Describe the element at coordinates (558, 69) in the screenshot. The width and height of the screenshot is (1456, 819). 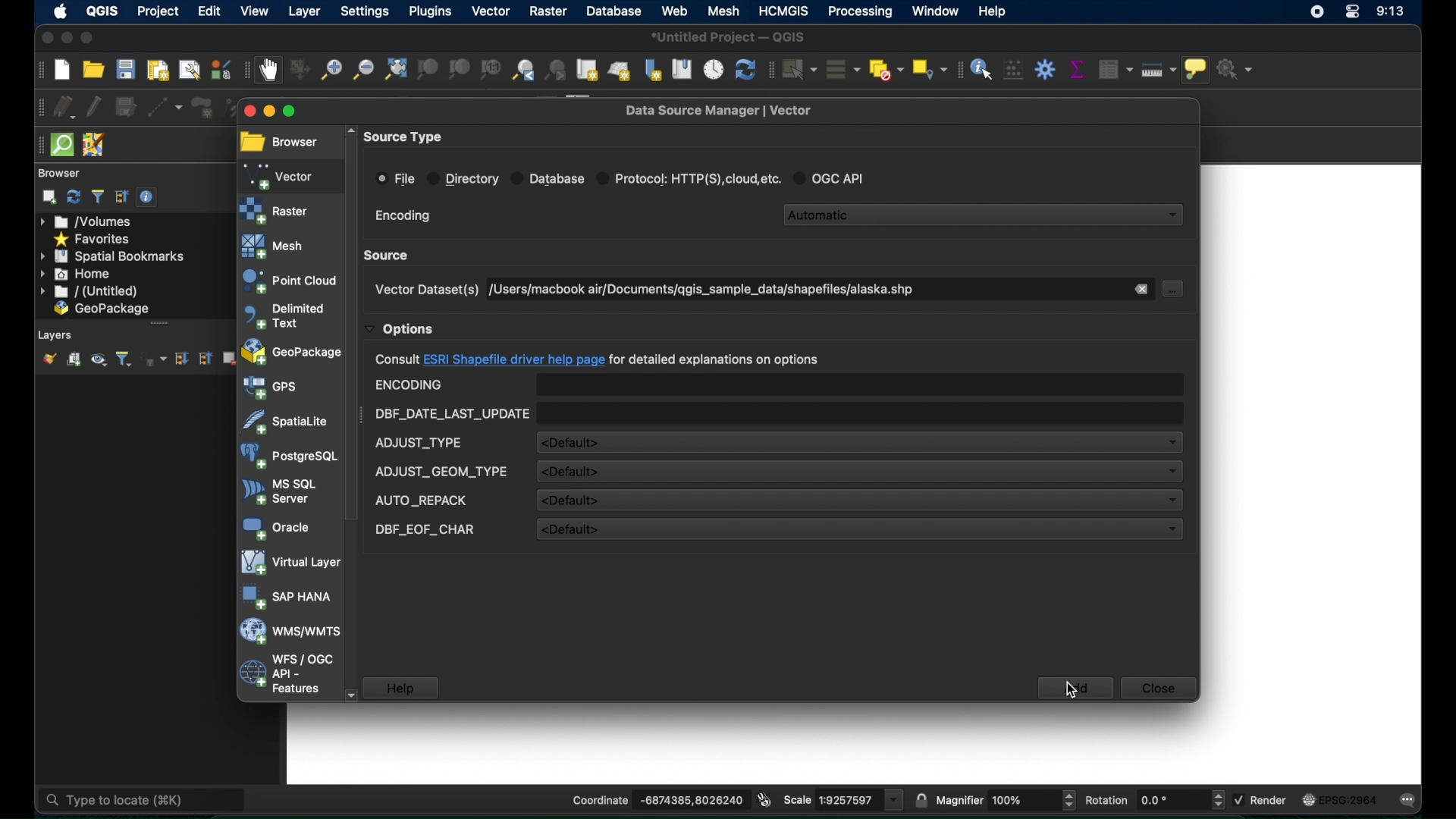
I see `zoom next` at that location.